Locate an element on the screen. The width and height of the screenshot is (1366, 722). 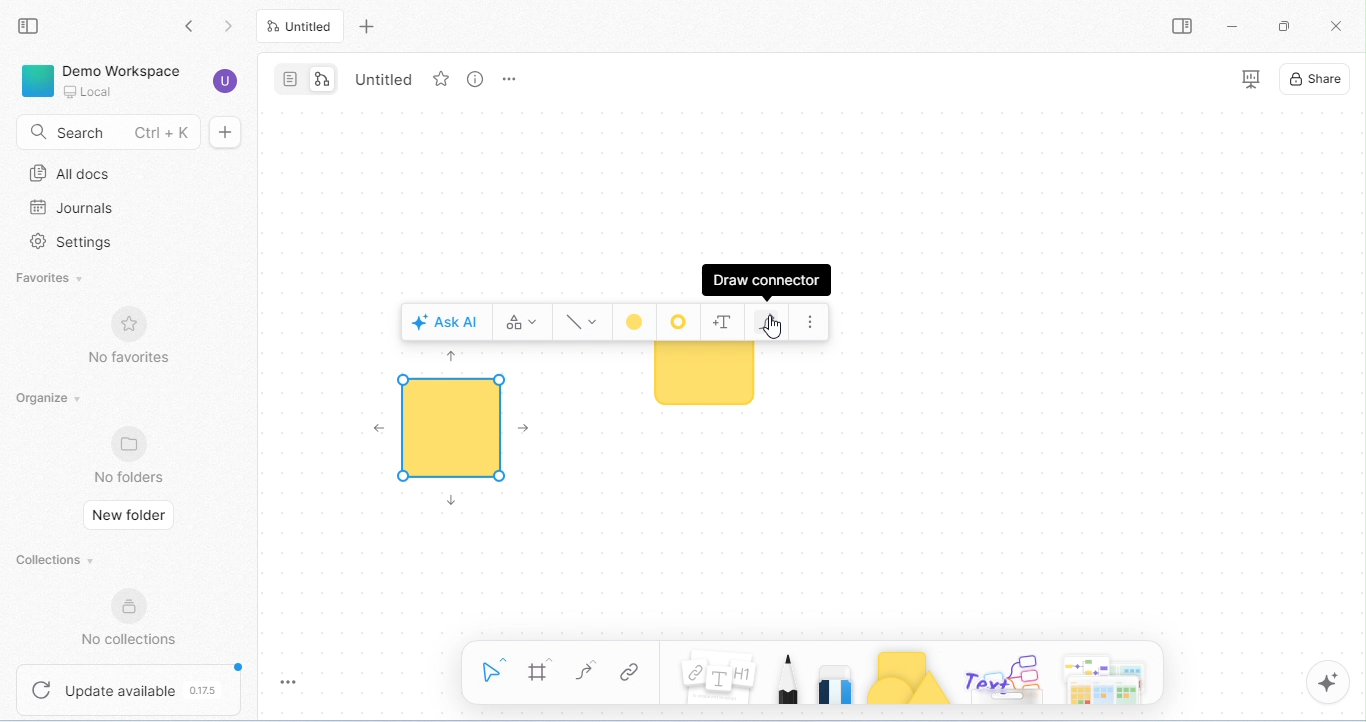
curve is located at coordinates (587, 671).